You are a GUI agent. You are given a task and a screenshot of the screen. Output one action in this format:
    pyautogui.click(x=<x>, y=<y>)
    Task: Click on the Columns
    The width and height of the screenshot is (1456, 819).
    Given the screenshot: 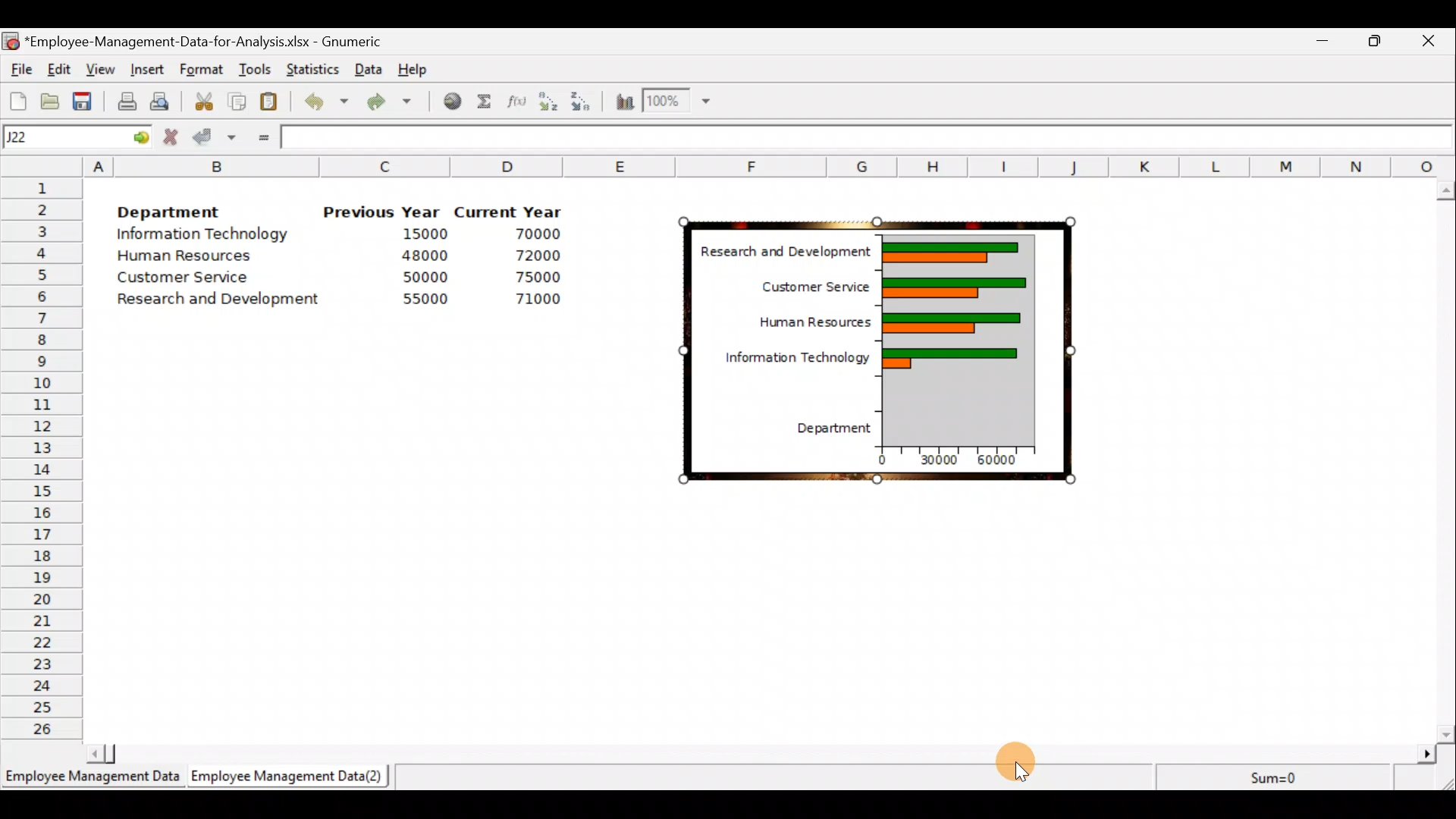 What is the action you would take?
    pyautogui.click(x=728, y=162)
    